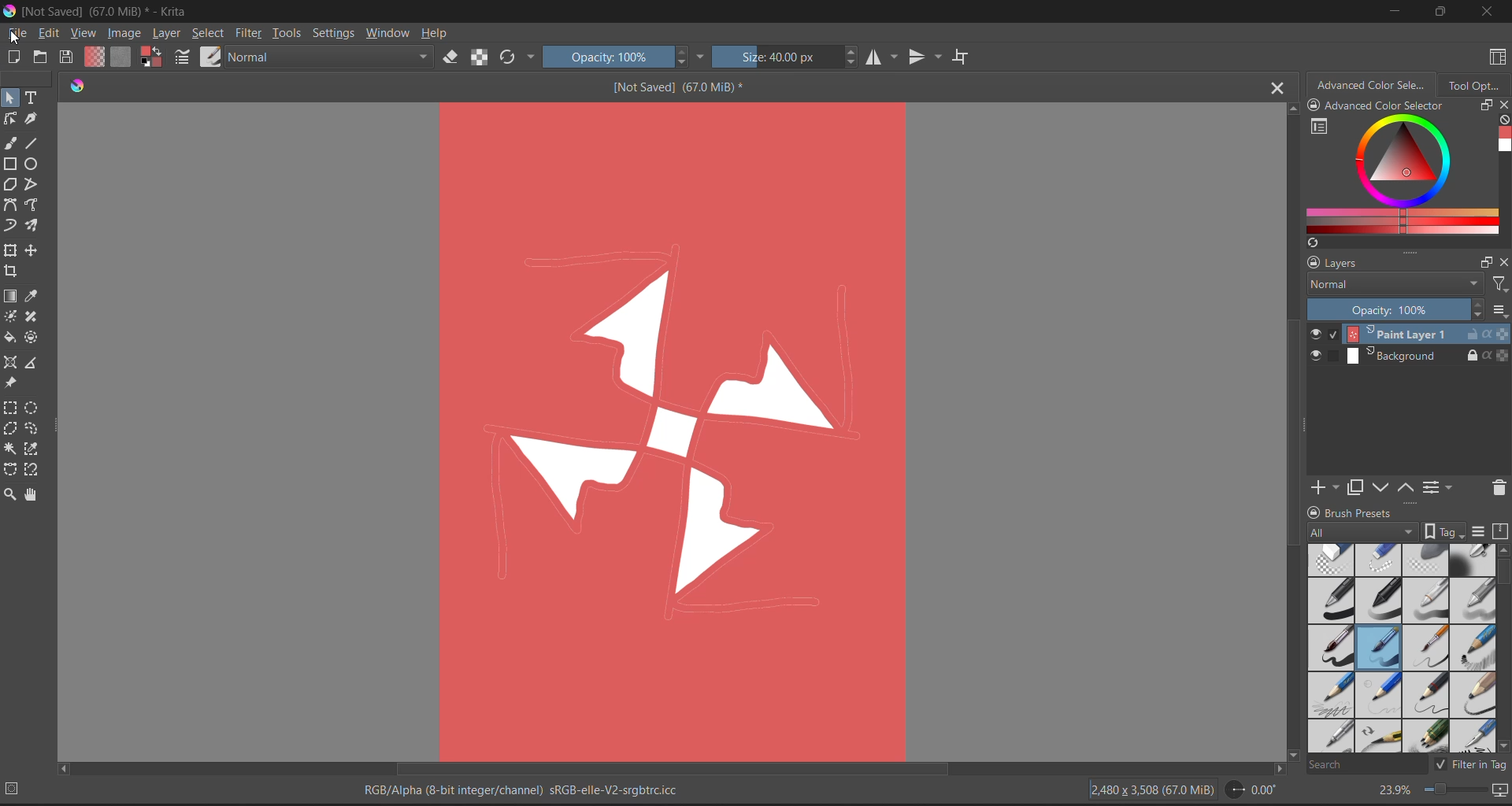 The height and width of the screenshot is (806, 1512). What do you see at coordinates (10, 315) in the screenshot?
I see `tools` at bounding box center [10, 315].